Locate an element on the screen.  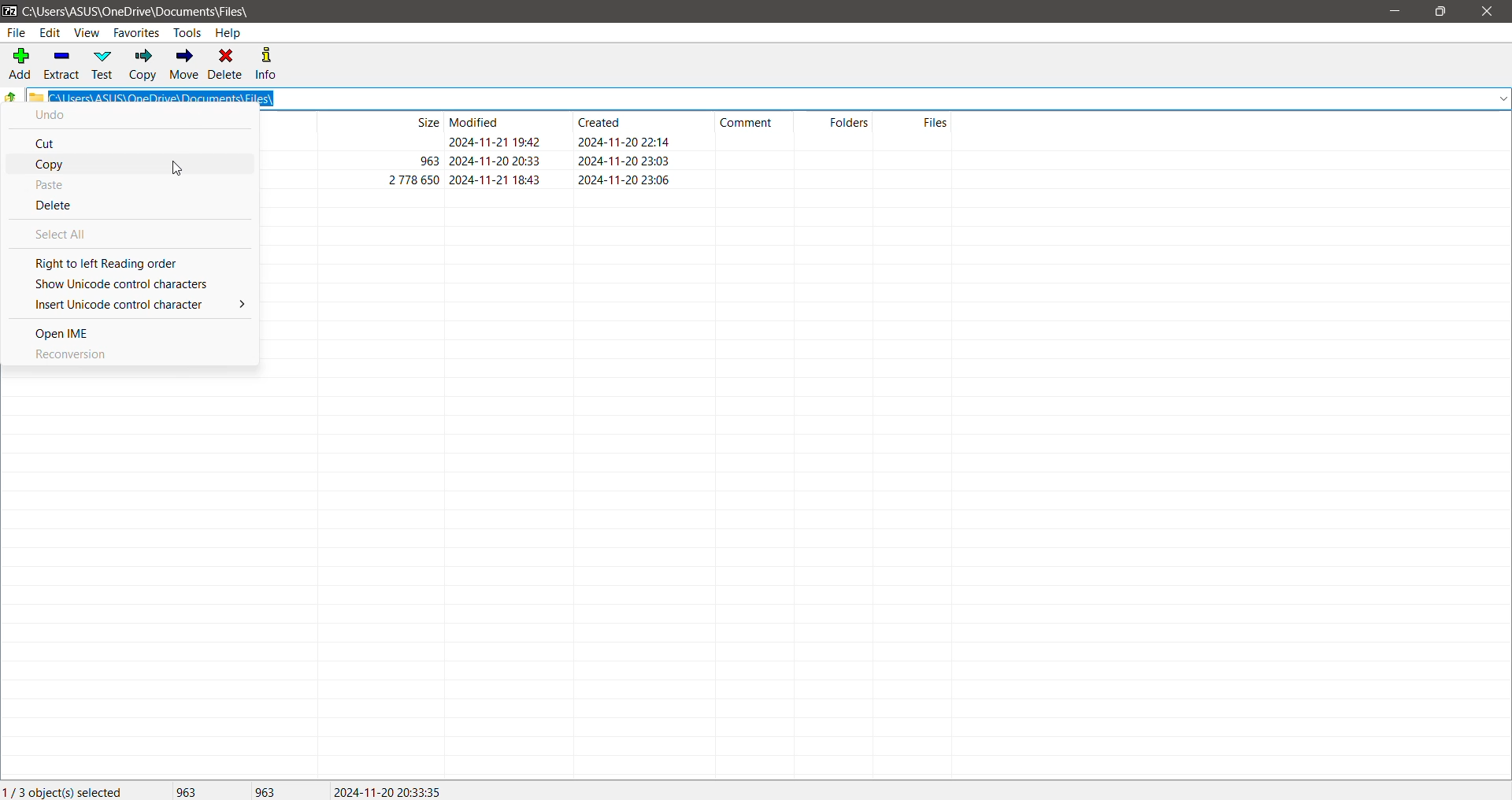
Move is located at coordinates (183, 65).